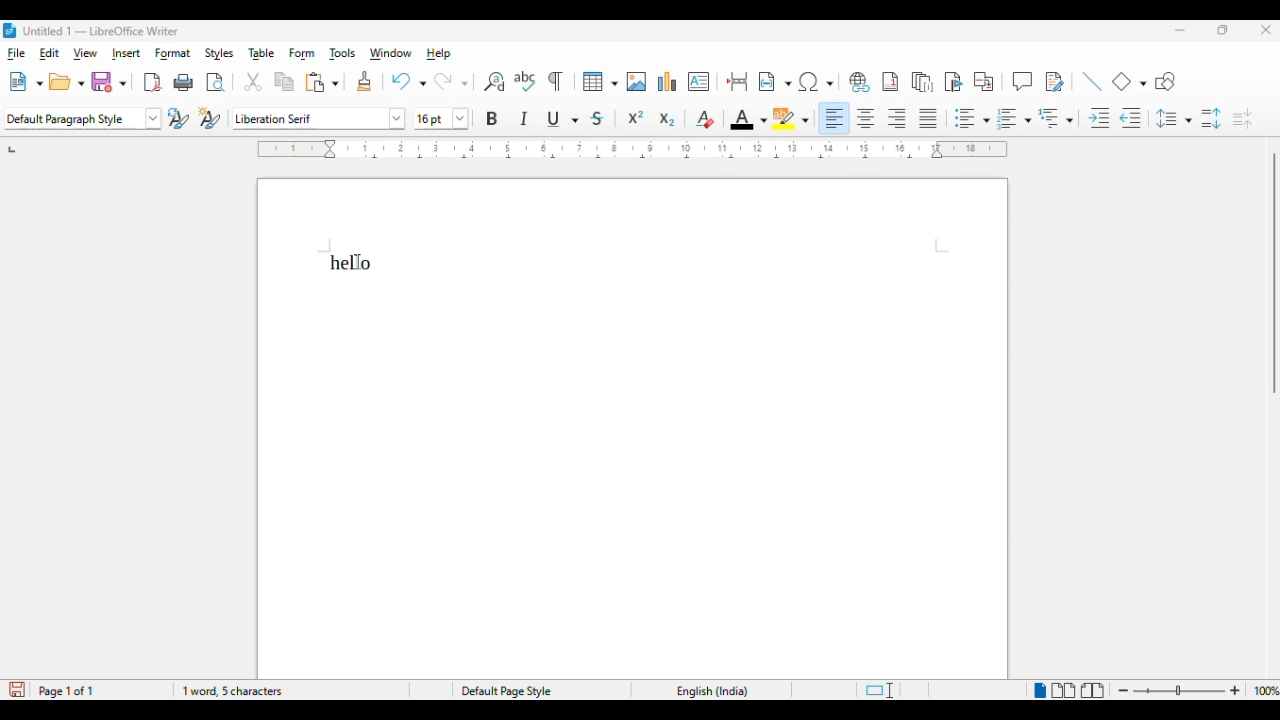 Image resolution: width=1280 pixels, height=720 pixels. What do you see at coordinates (1179, 30) in the screenshot?
I see `minimize` at bounding box center [1179, 30].